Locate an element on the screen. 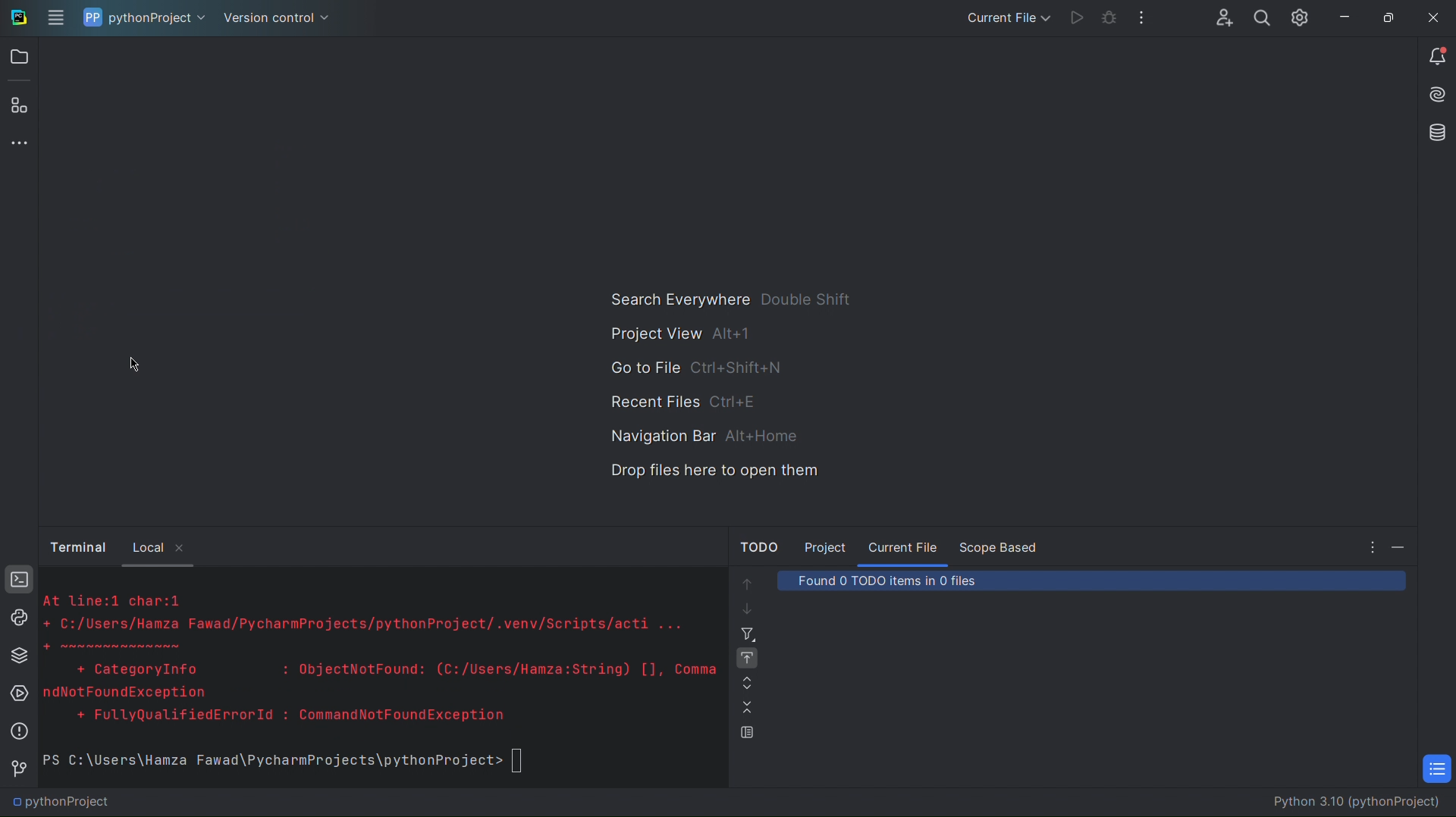 The width and height of the screenshot is (1456, 817). Version Control is located at coordinates (19, 772).